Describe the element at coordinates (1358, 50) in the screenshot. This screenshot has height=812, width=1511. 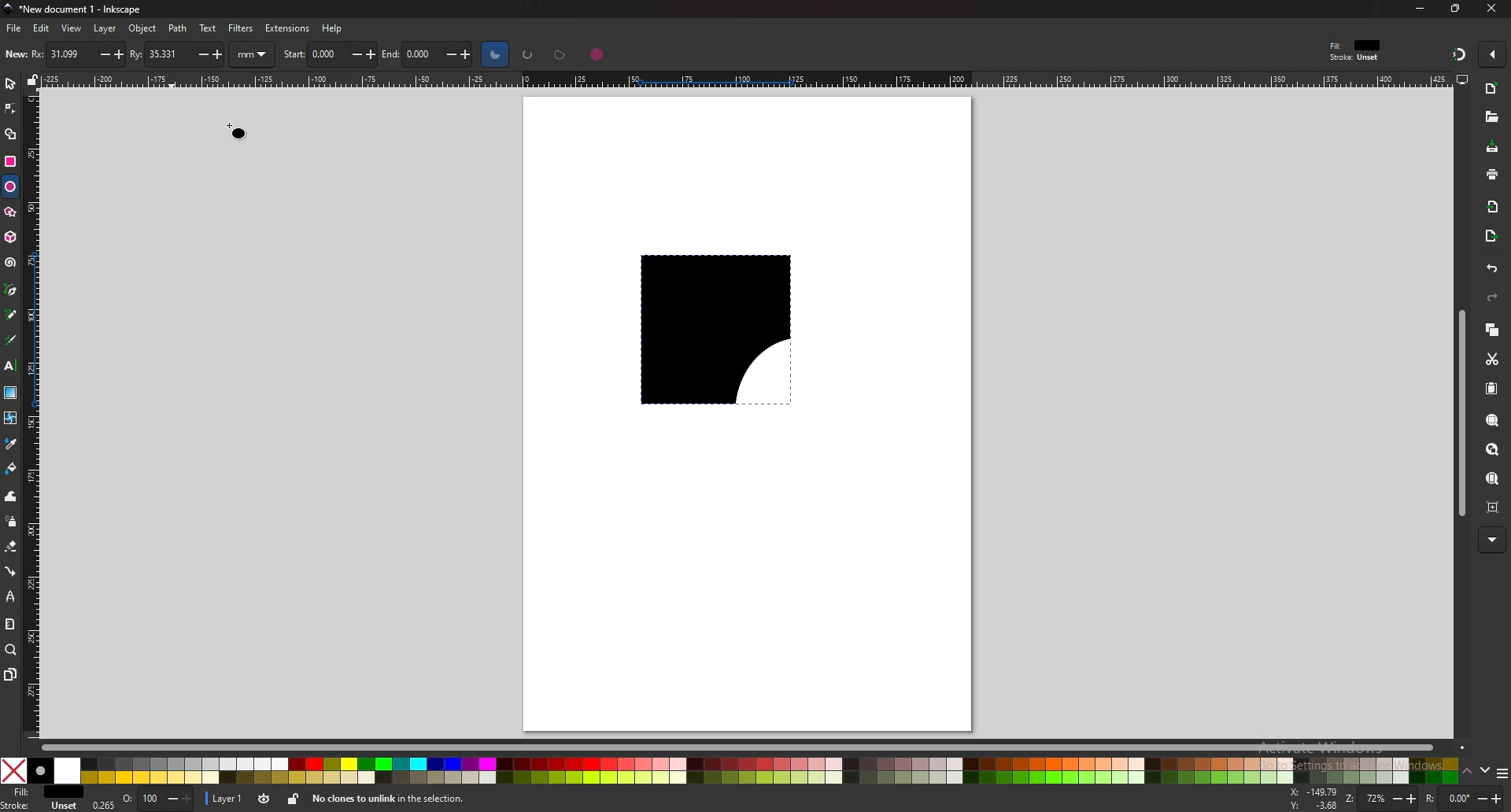
I see `style` at that location.